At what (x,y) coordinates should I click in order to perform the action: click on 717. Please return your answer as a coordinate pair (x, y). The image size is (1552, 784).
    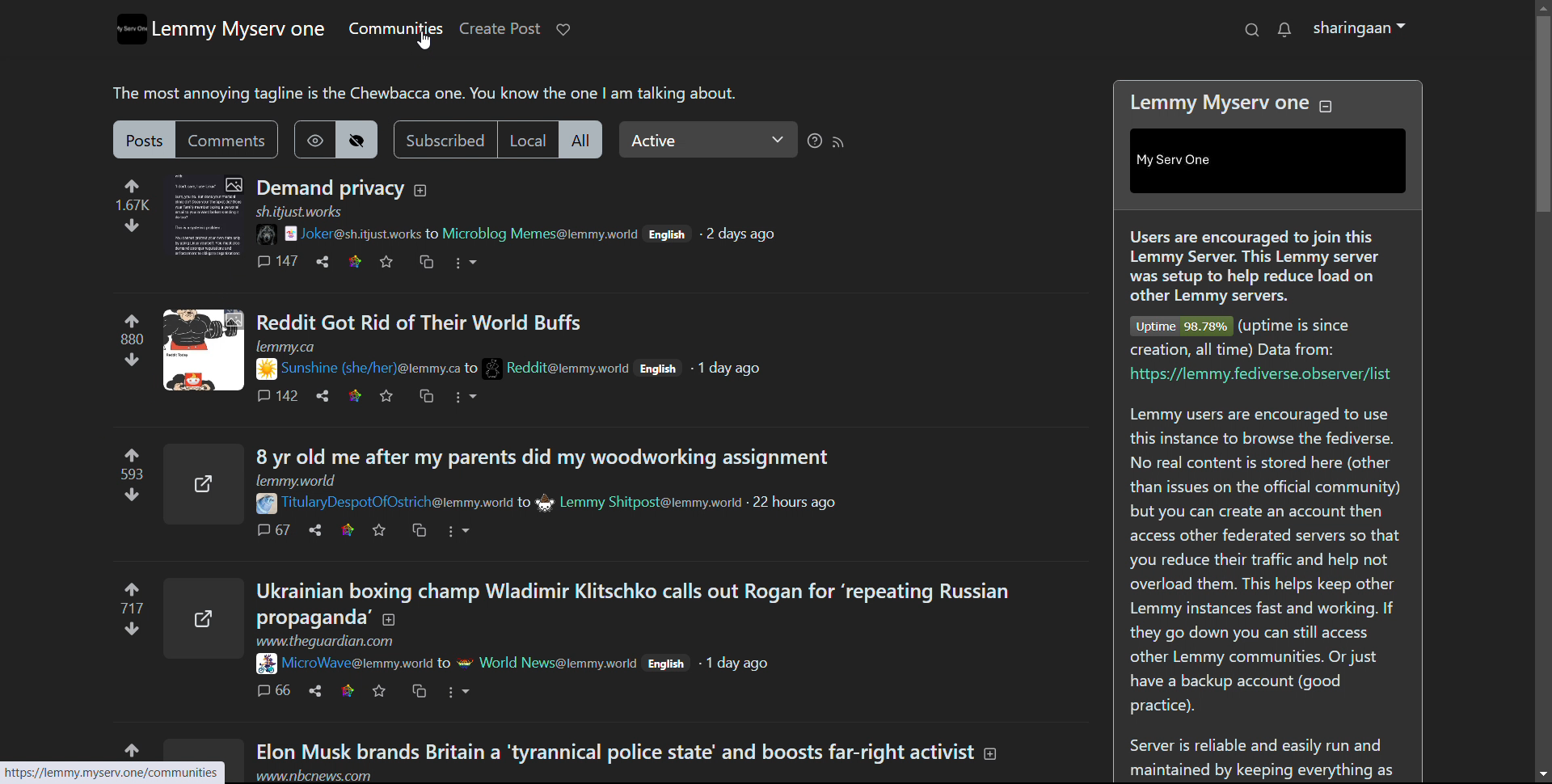
    Looking at the image, I should click on (129, 607).